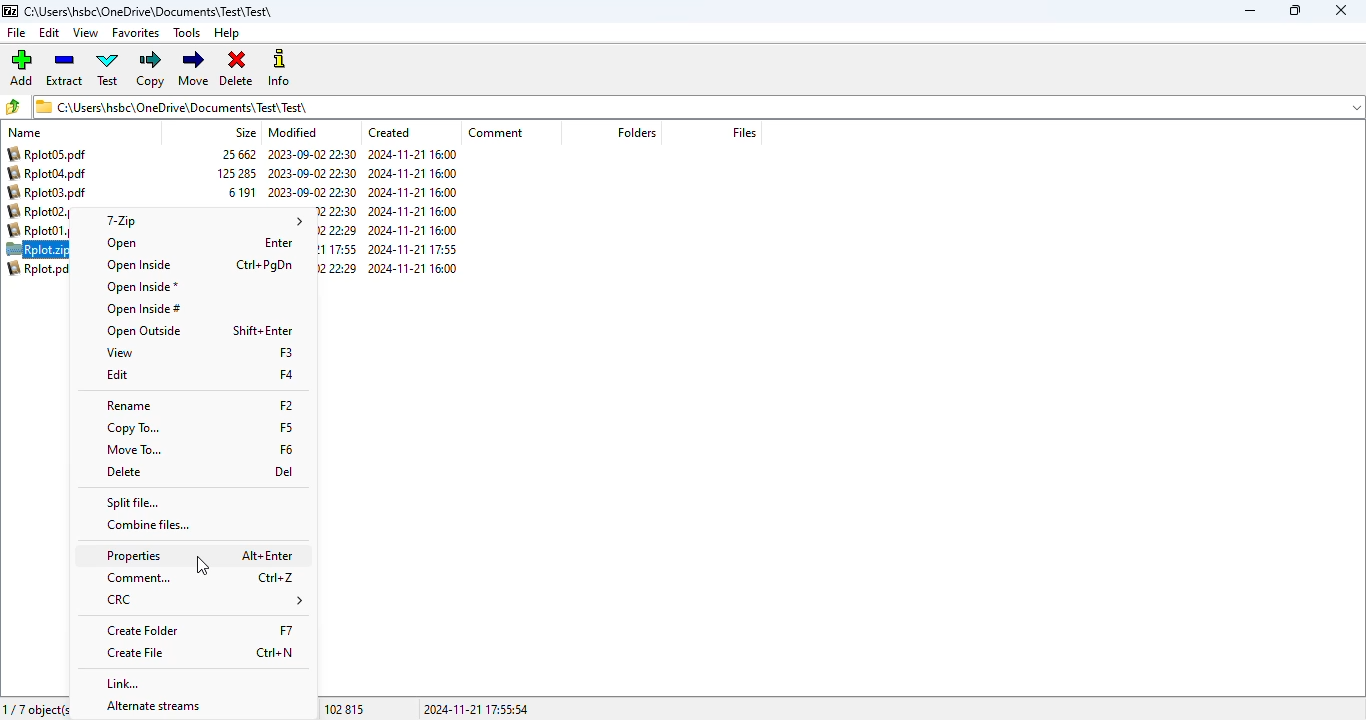 The height and width of the screenshot is (720, 1366). What do you see at coordinates (203, 566) in the screenshot?
I see `cursor` at bounding box center [203, 566].